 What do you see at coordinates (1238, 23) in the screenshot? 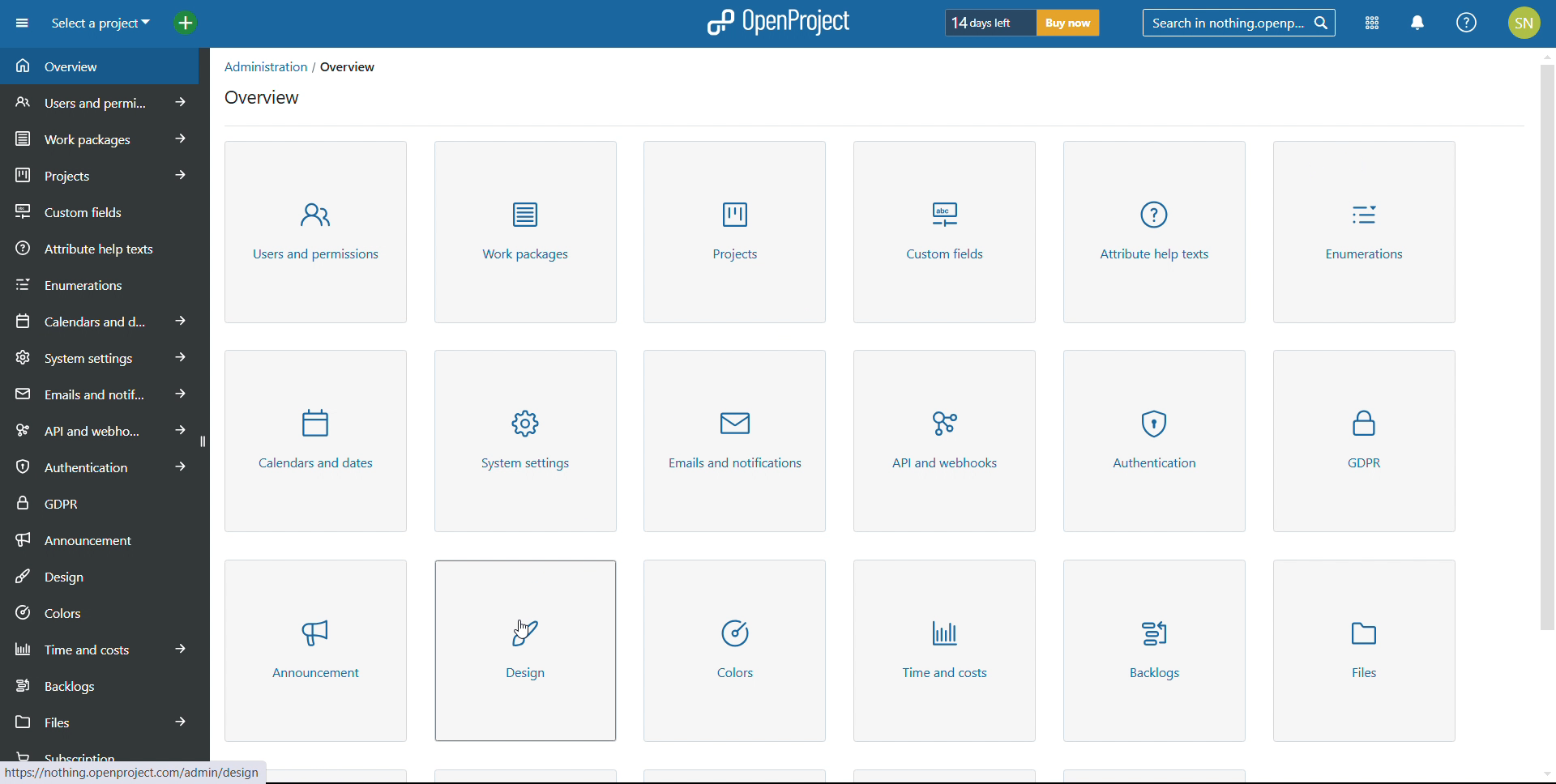
I see `search` at bounding box center [1238, 23].